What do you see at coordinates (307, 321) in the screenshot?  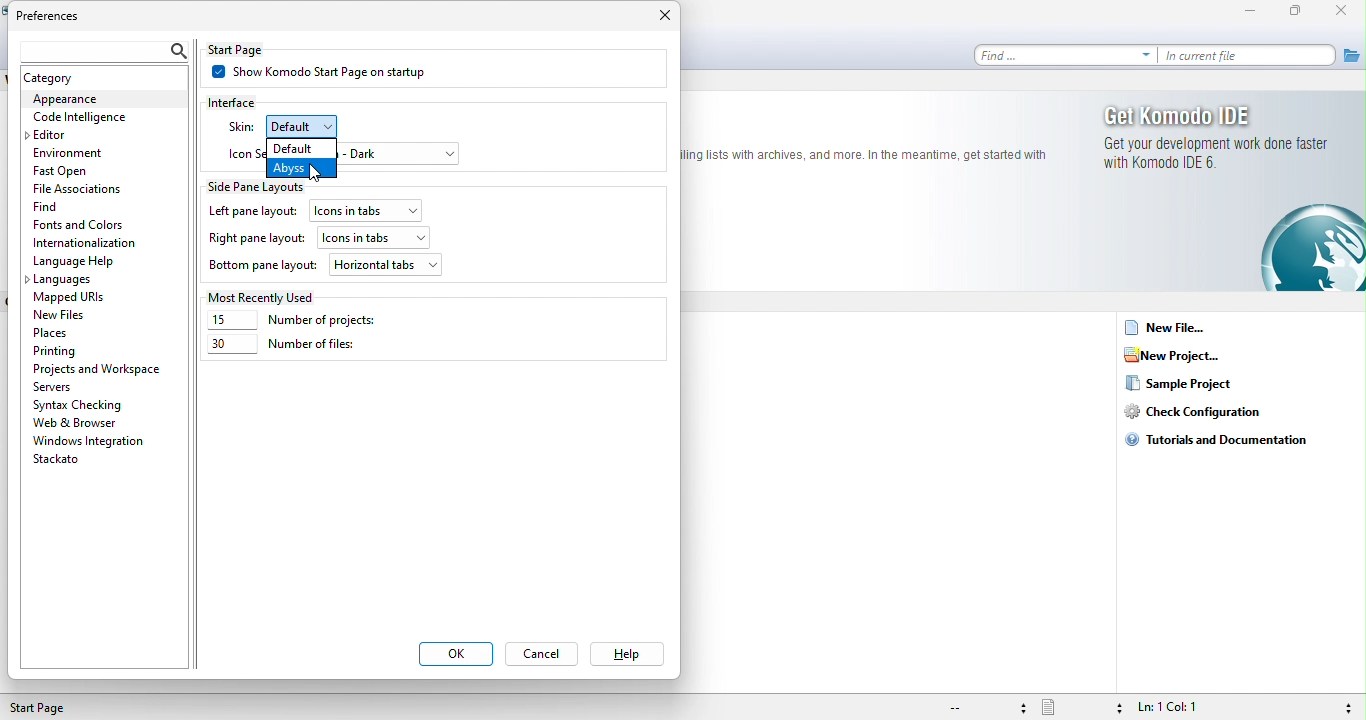 I see `number of projects` at bounding box center [307, 321].